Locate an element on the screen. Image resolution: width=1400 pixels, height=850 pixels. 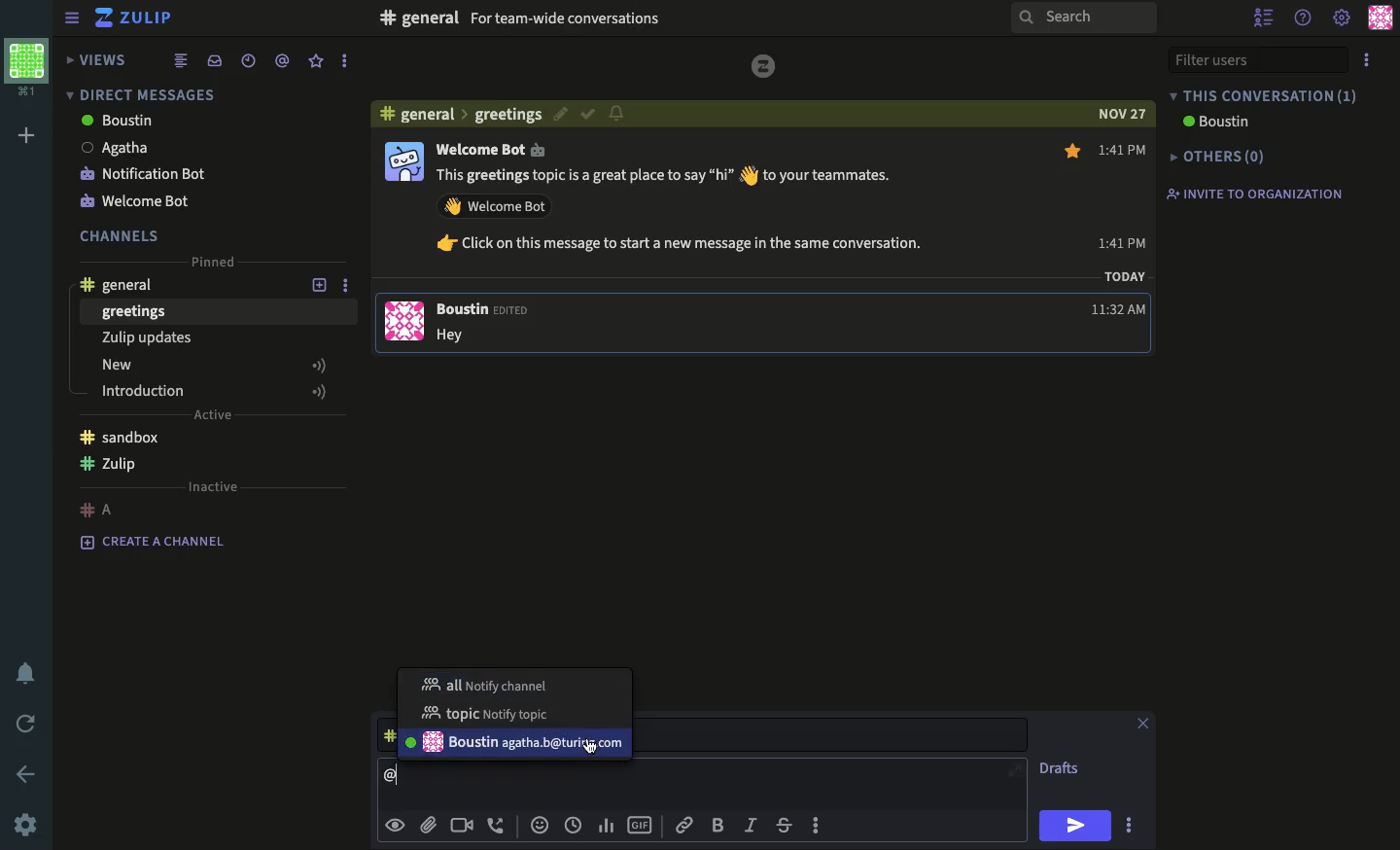
strikethrough  is located at coordinates (785, 826).